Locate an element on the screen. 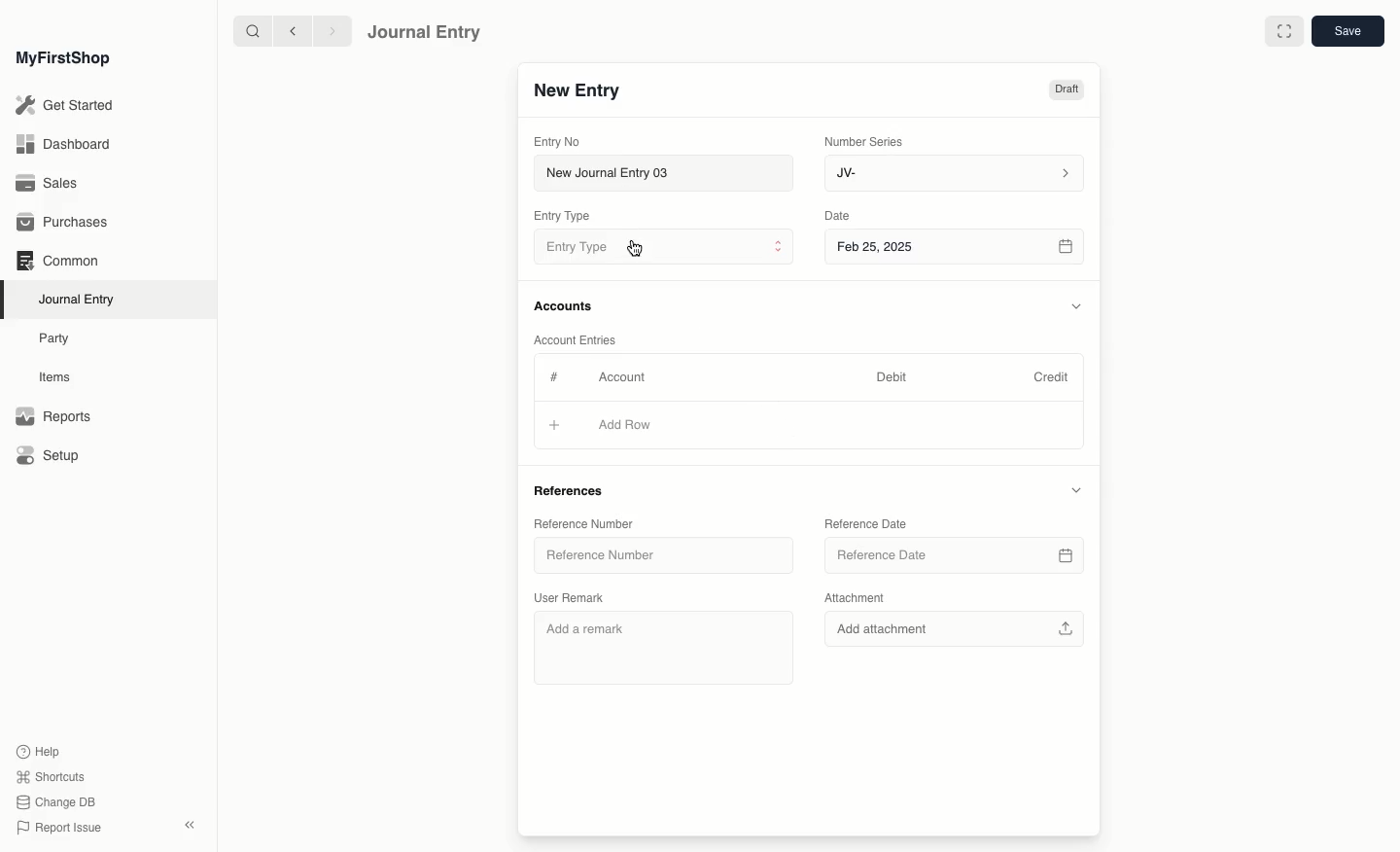 The height and width of the screenshot is (852, 1400). Get Started is located at coordinates (66, 106).